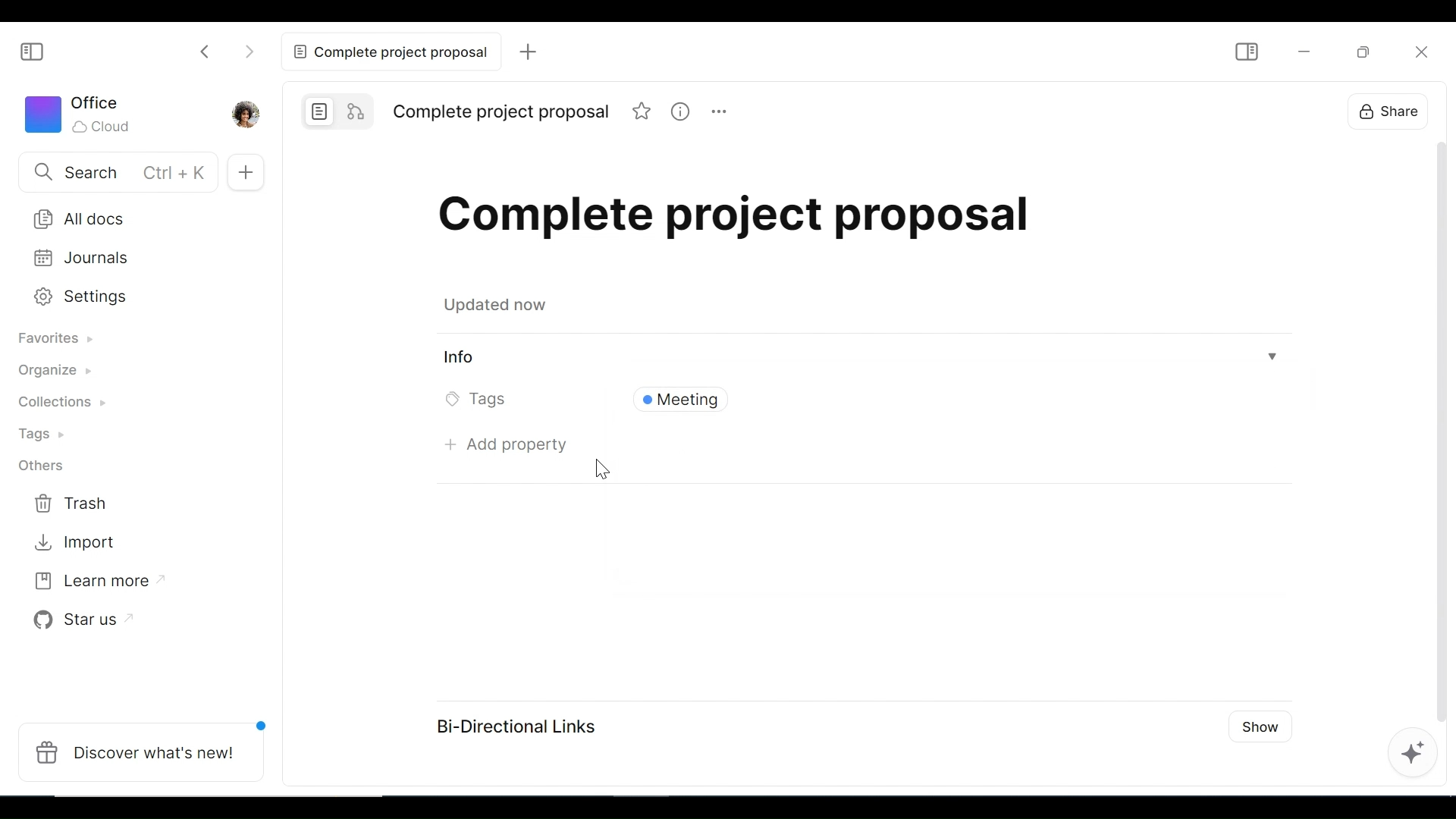 This screenshot has width=1456, height=819. What do you see at coordinates (643, 114) in the screenshot?
I see `favorite` at bounding box center [643, 114].